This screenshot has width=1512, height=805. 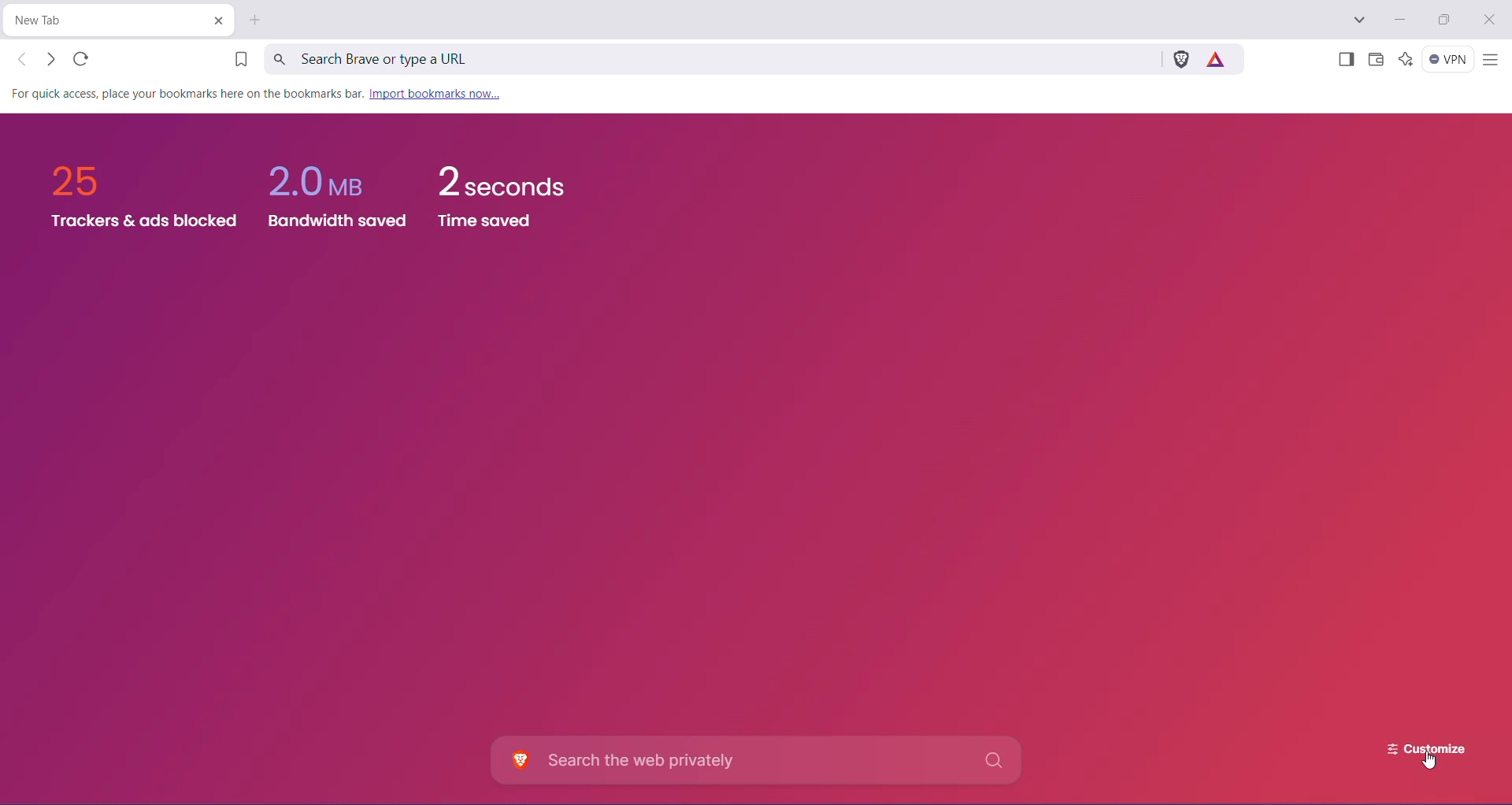 What do you see at coordinates (710, 58) in the screenshot?
I see `Search Brave or Type a URL` at bounding box center [710, 58].